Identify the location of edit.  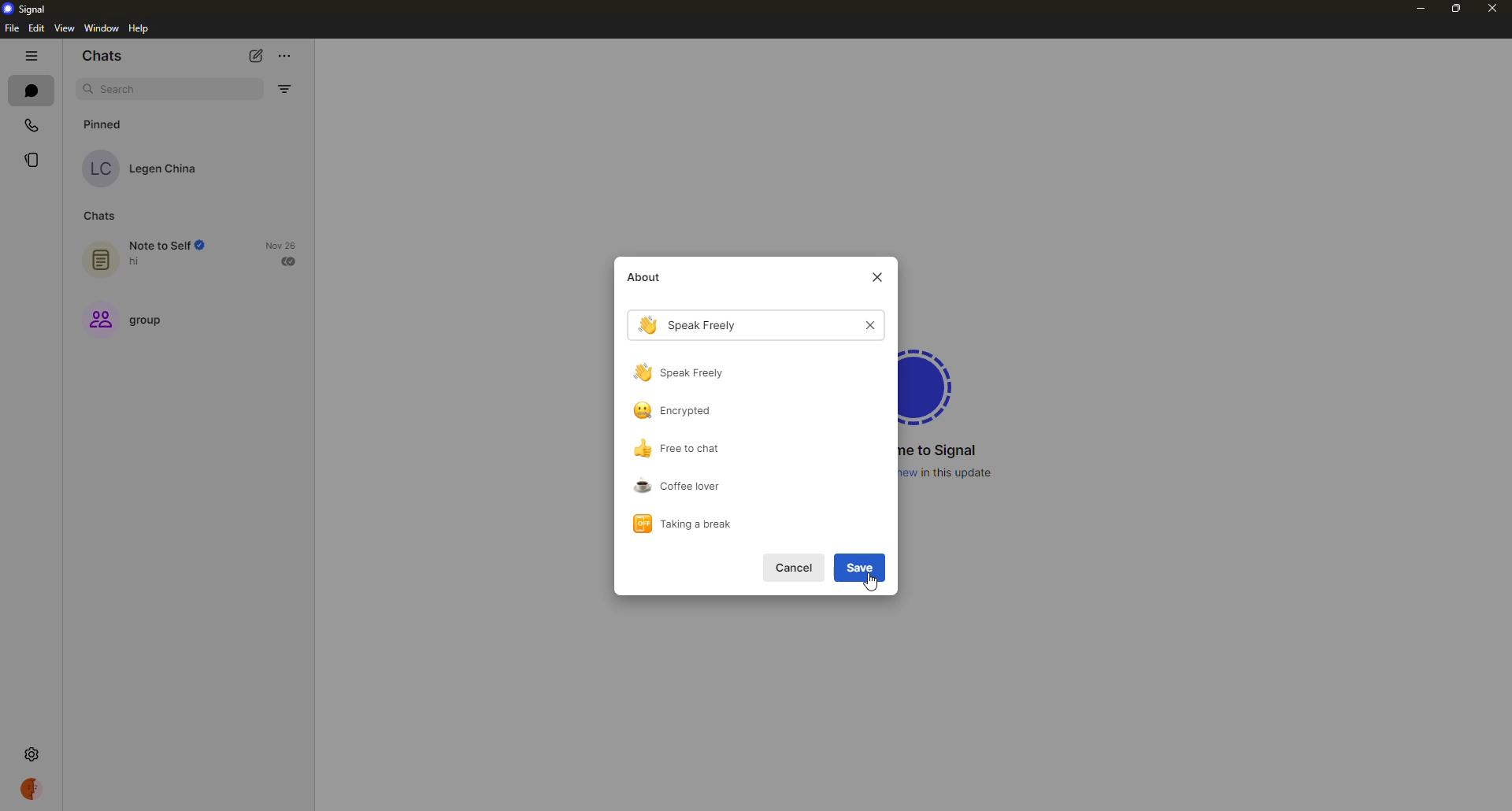
(36, 28).